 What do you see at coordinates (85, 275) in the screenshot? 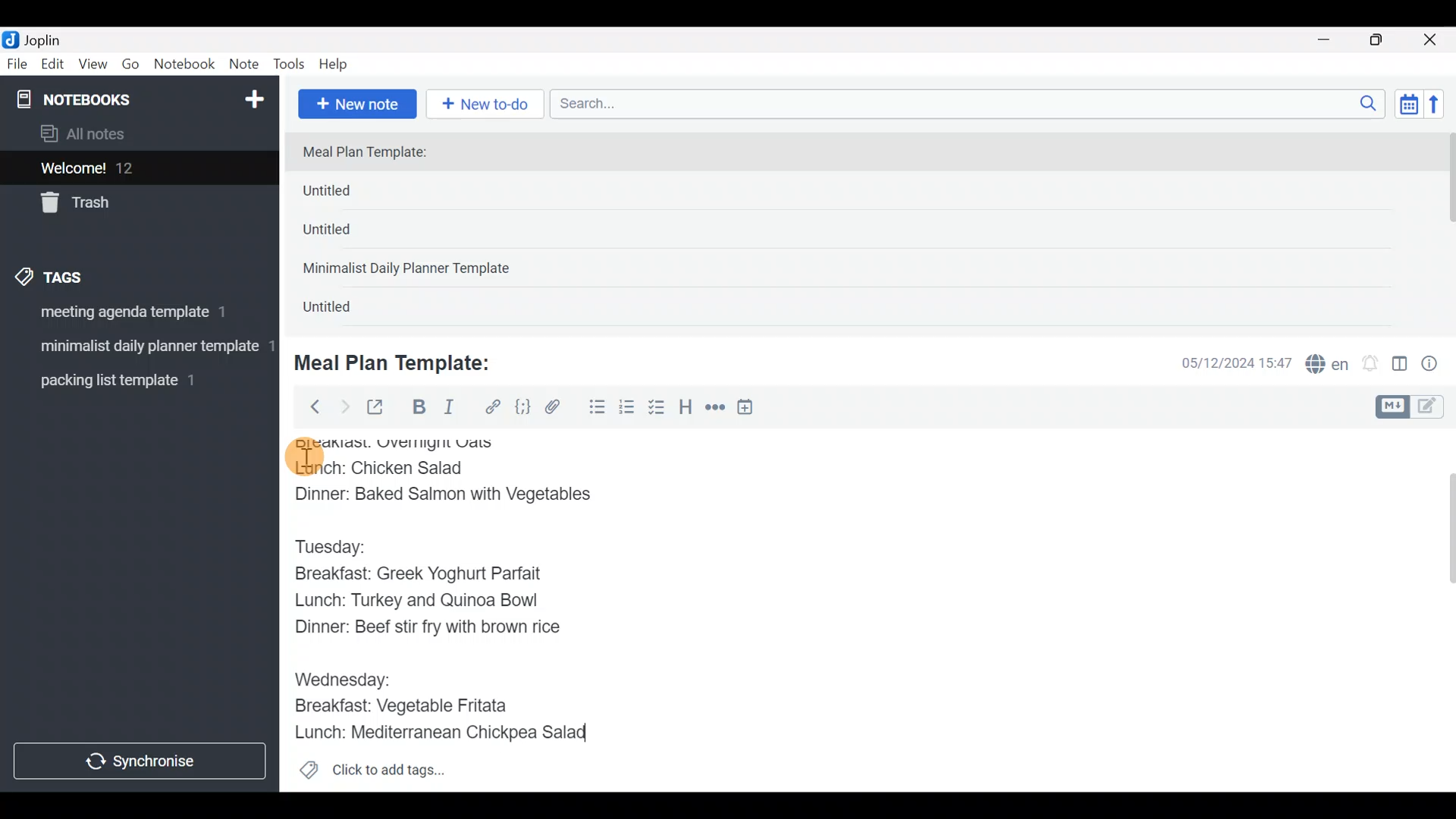
I see `Tags` at bounding box center [85, 275].